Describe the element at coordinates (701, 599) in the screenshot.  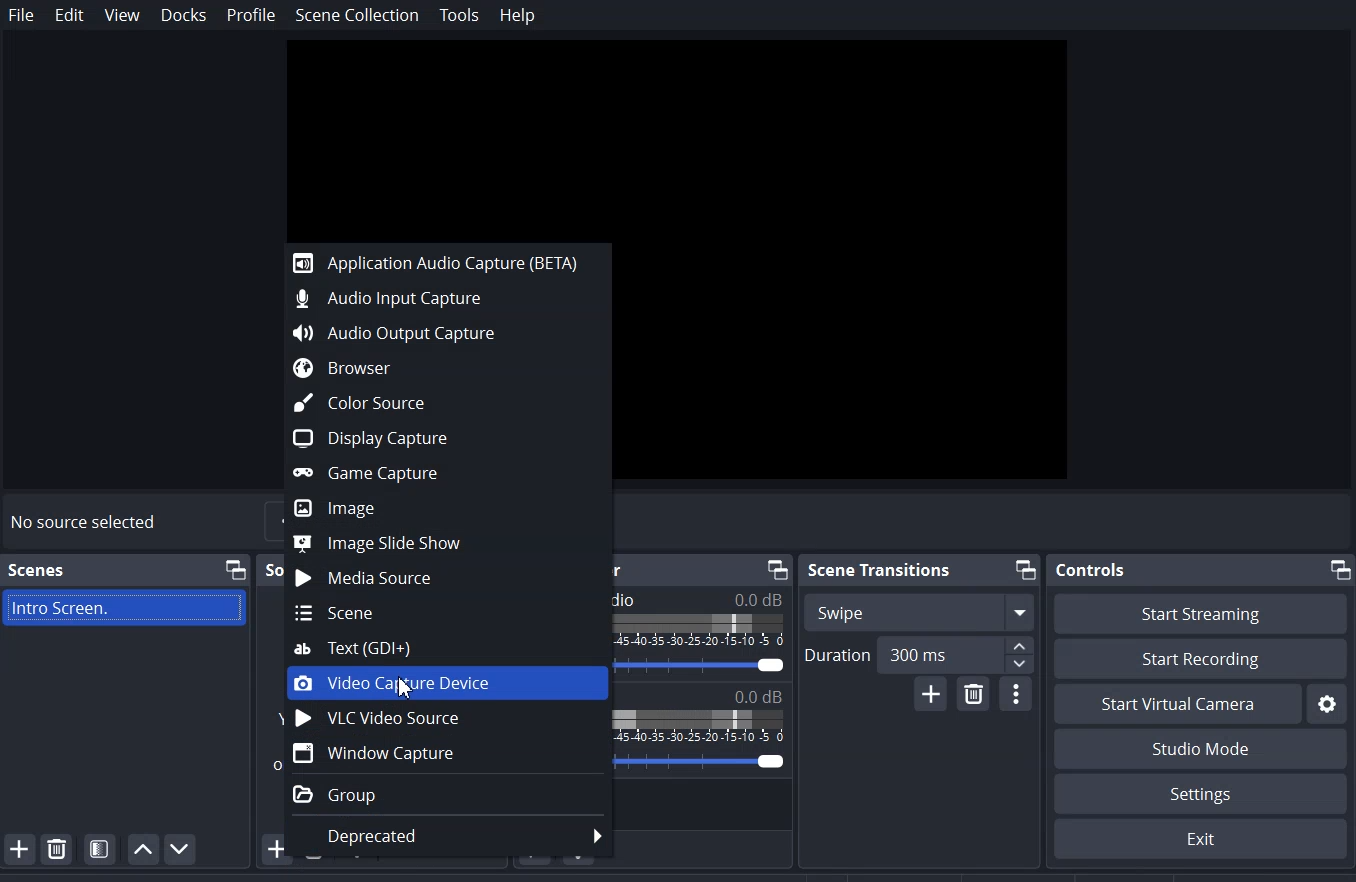
I see `Text` at that location.